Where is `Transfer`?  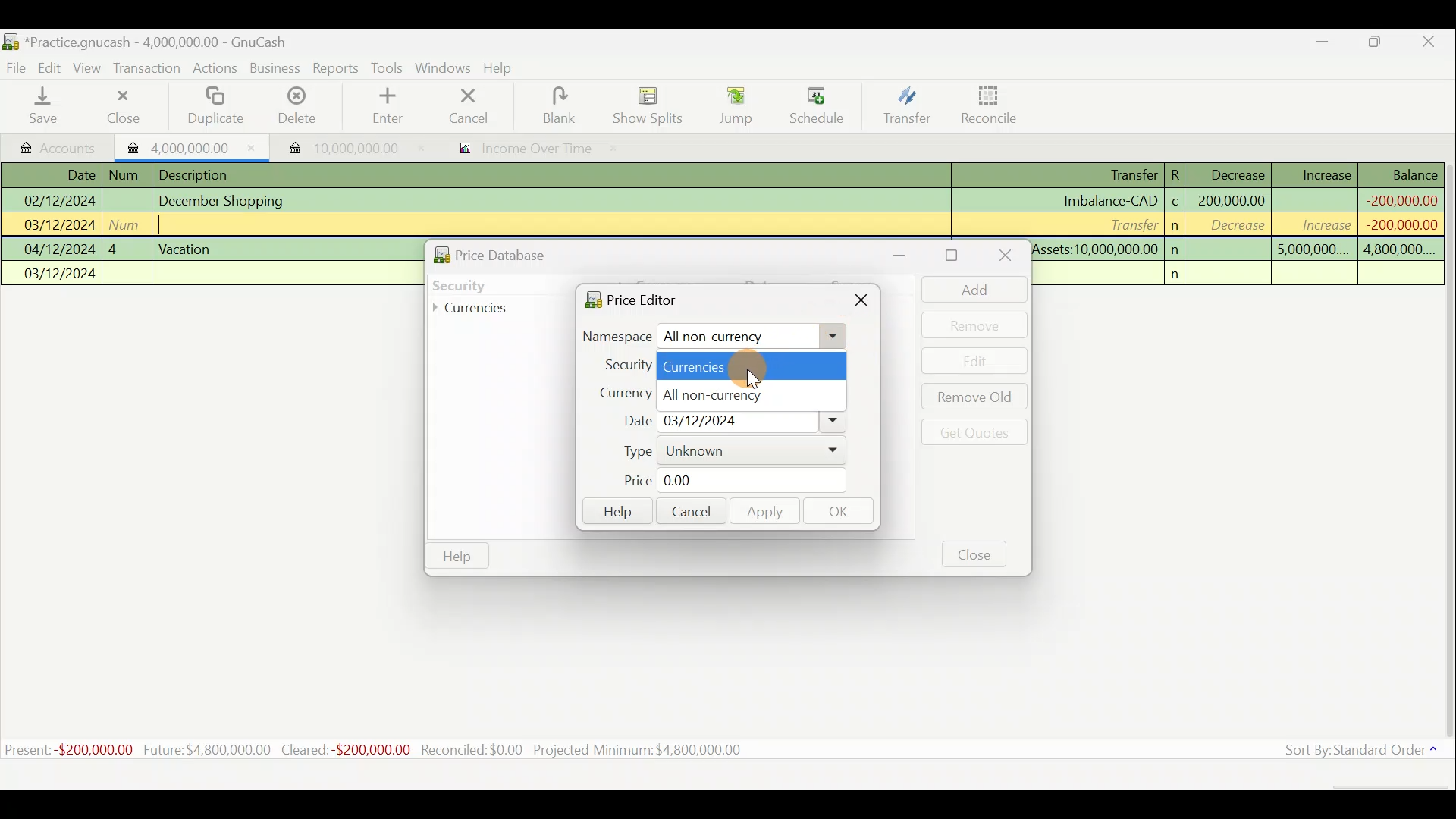
Transfer is located at coordinates (904, 108).